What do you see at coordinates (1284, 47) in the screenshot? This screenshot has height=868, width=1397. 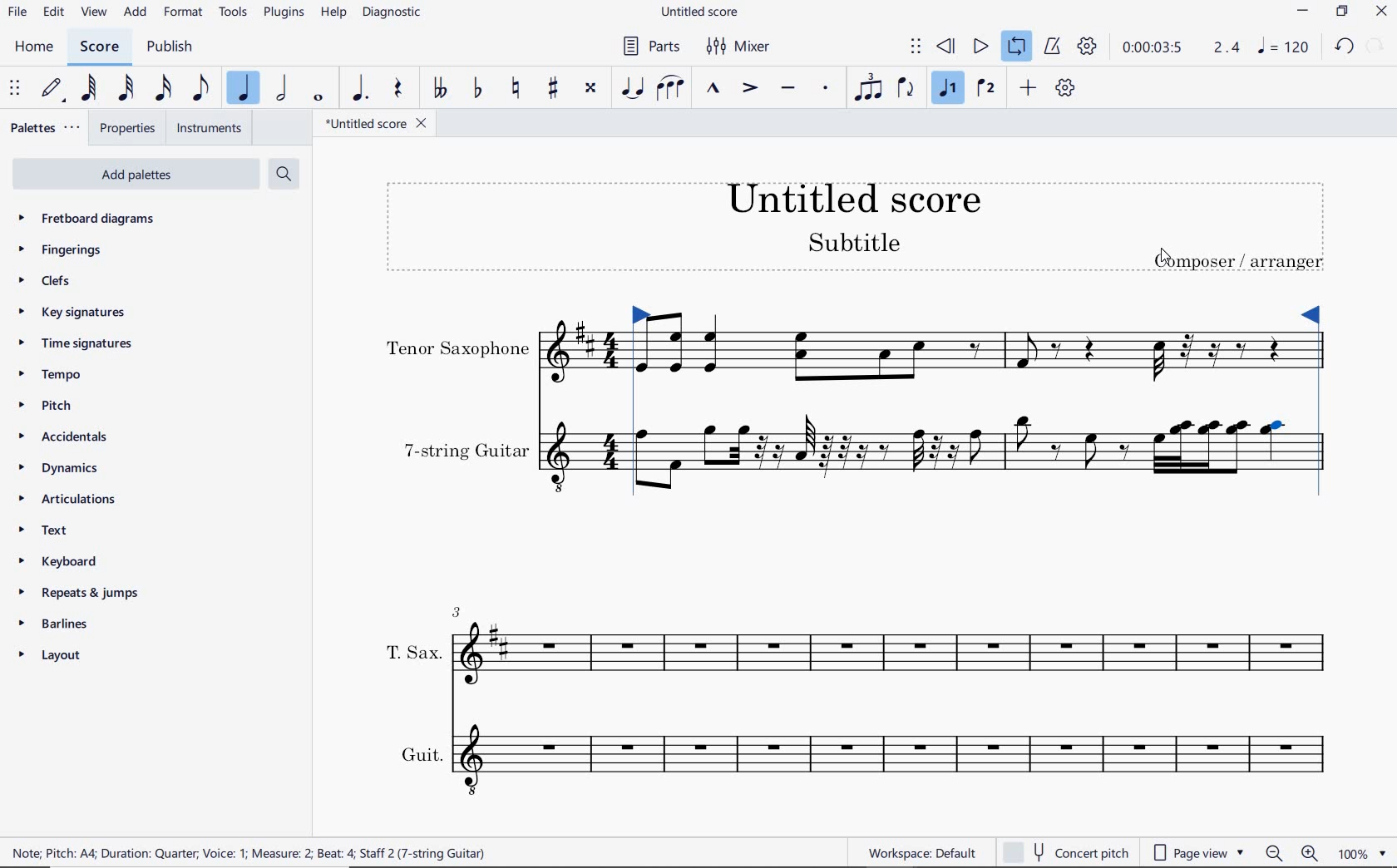 I see `NOTE` at bounding box center [1284, 47].